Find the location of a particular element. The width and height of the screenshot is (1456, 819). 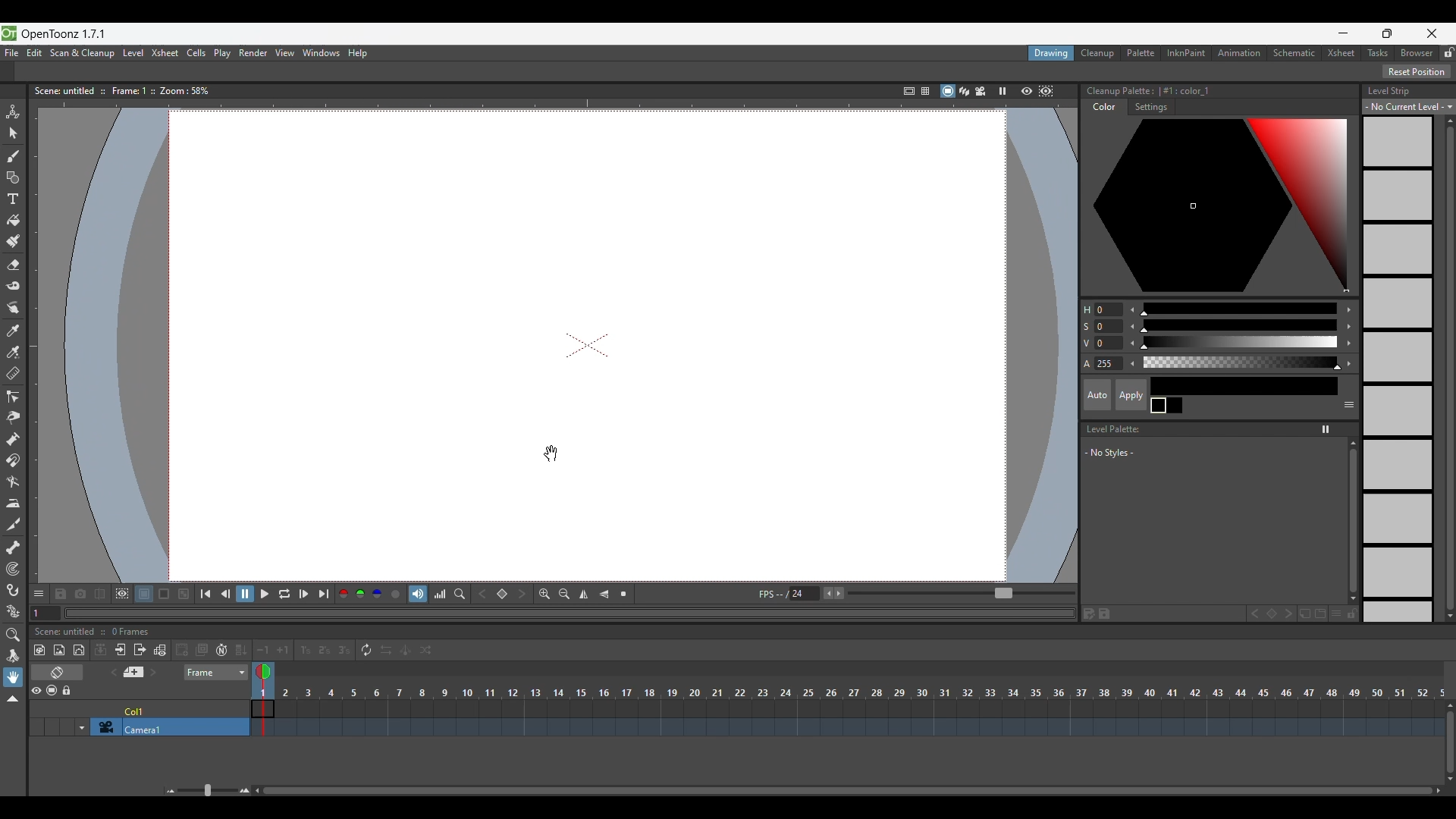

Current frame is located at coordinates (45, 613).